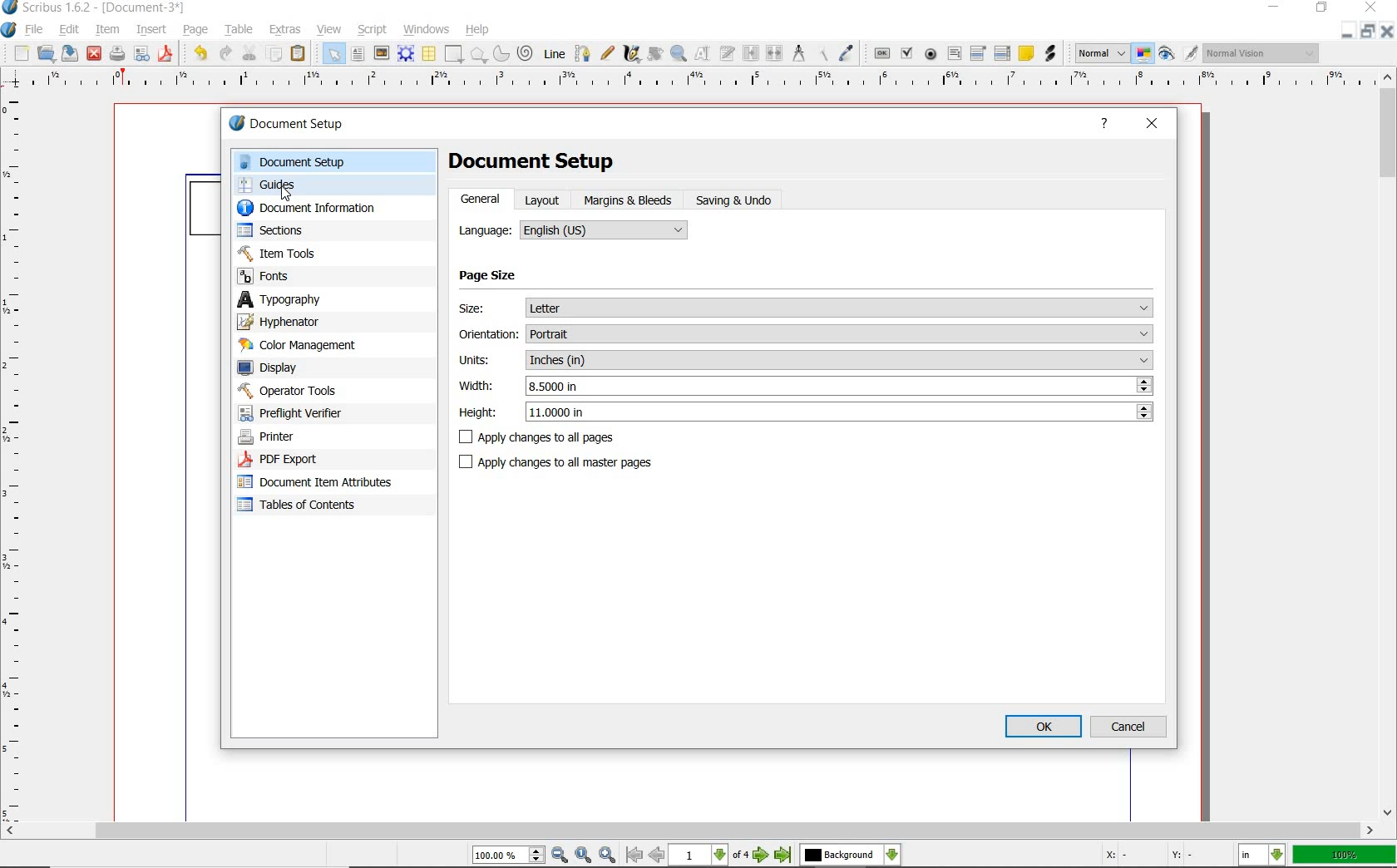  Describe the element at coordinates (1105, 126) in the screenshot. I see `help` at that location.